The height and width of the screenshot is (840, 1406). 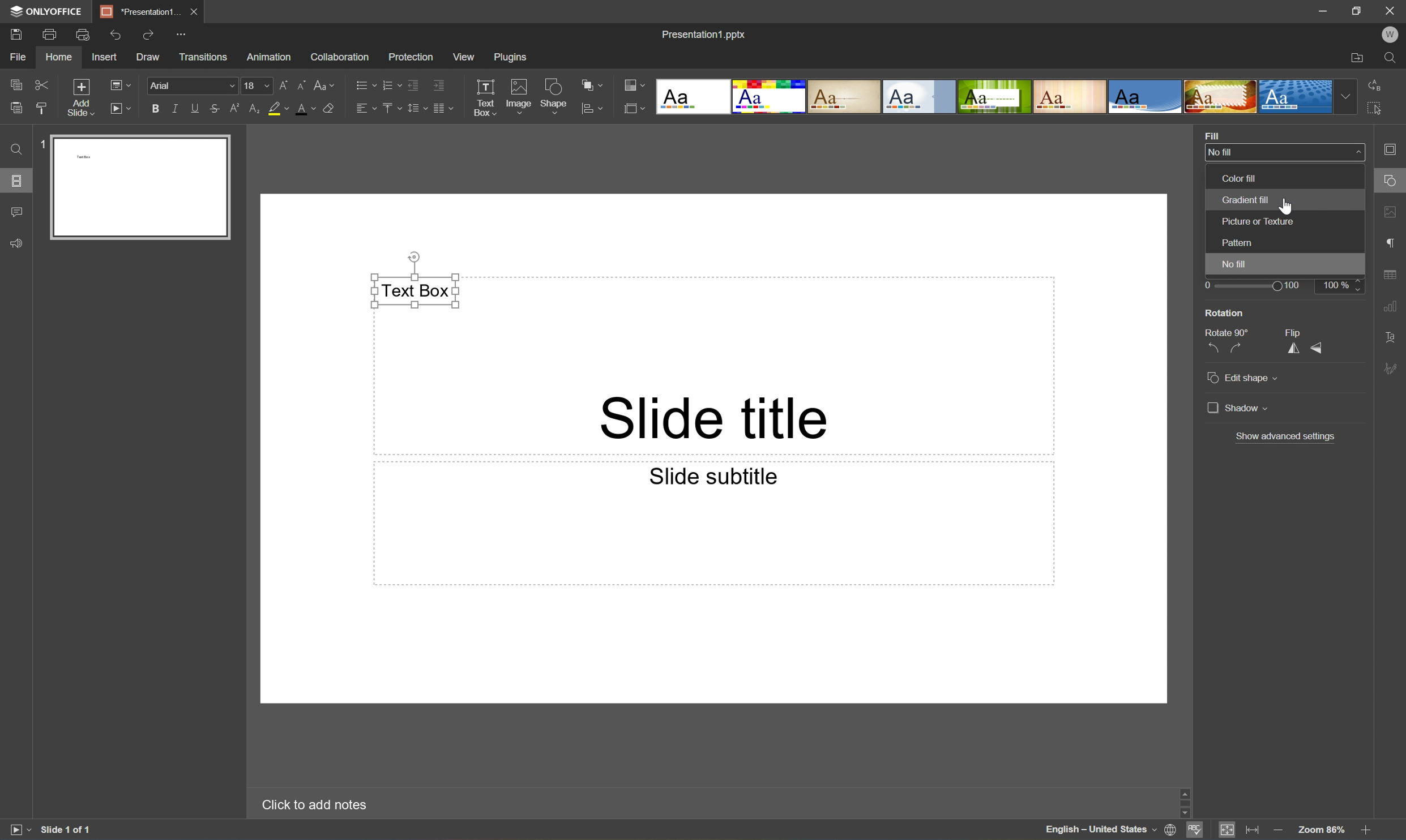 What do you see at coordinates (1344, 286) in the screenshot?
I see `100%` at bounding box center [1344, 286].